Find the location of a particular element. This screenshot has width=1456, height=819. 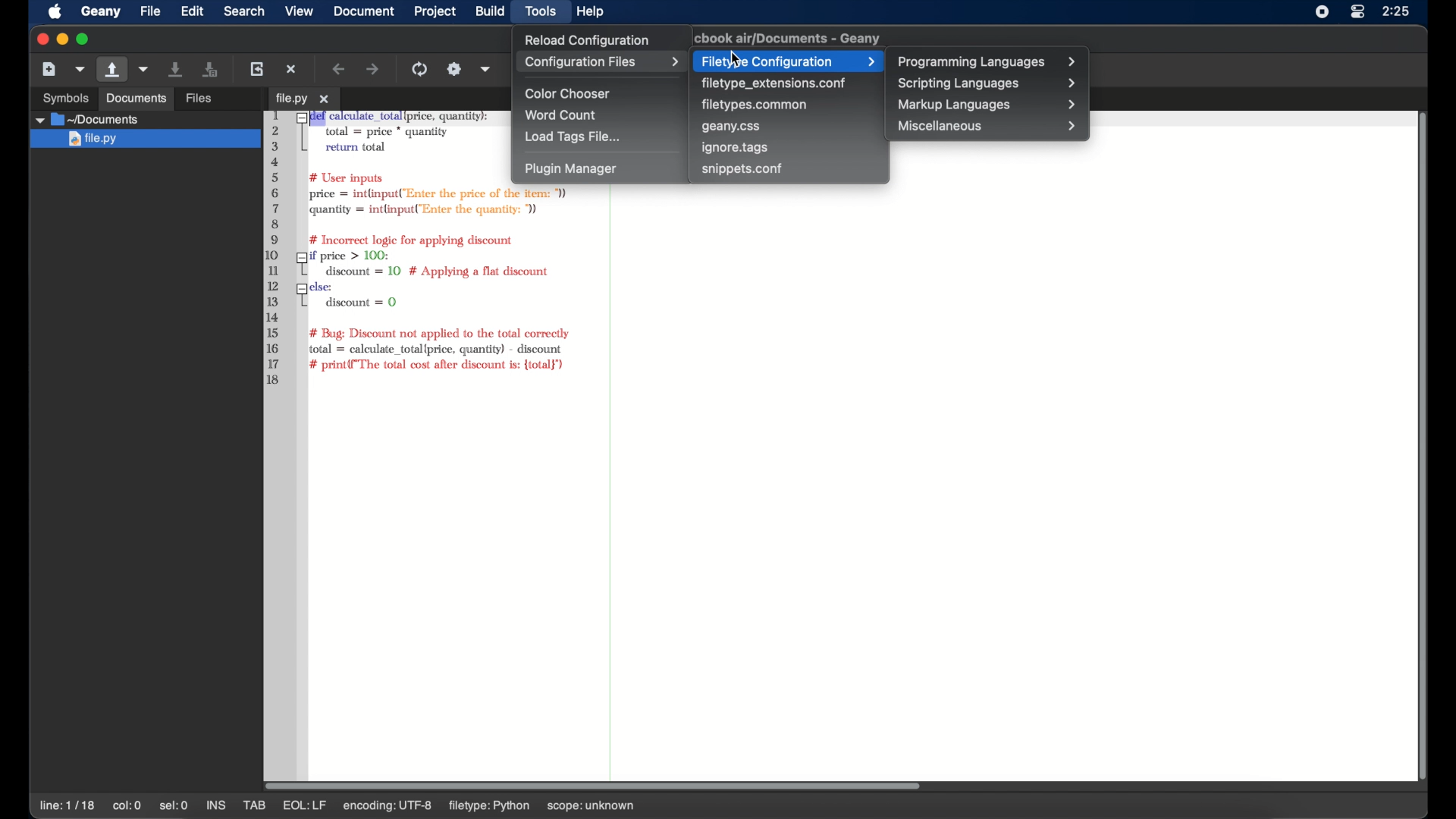

 is located at coordinates (136, 99).